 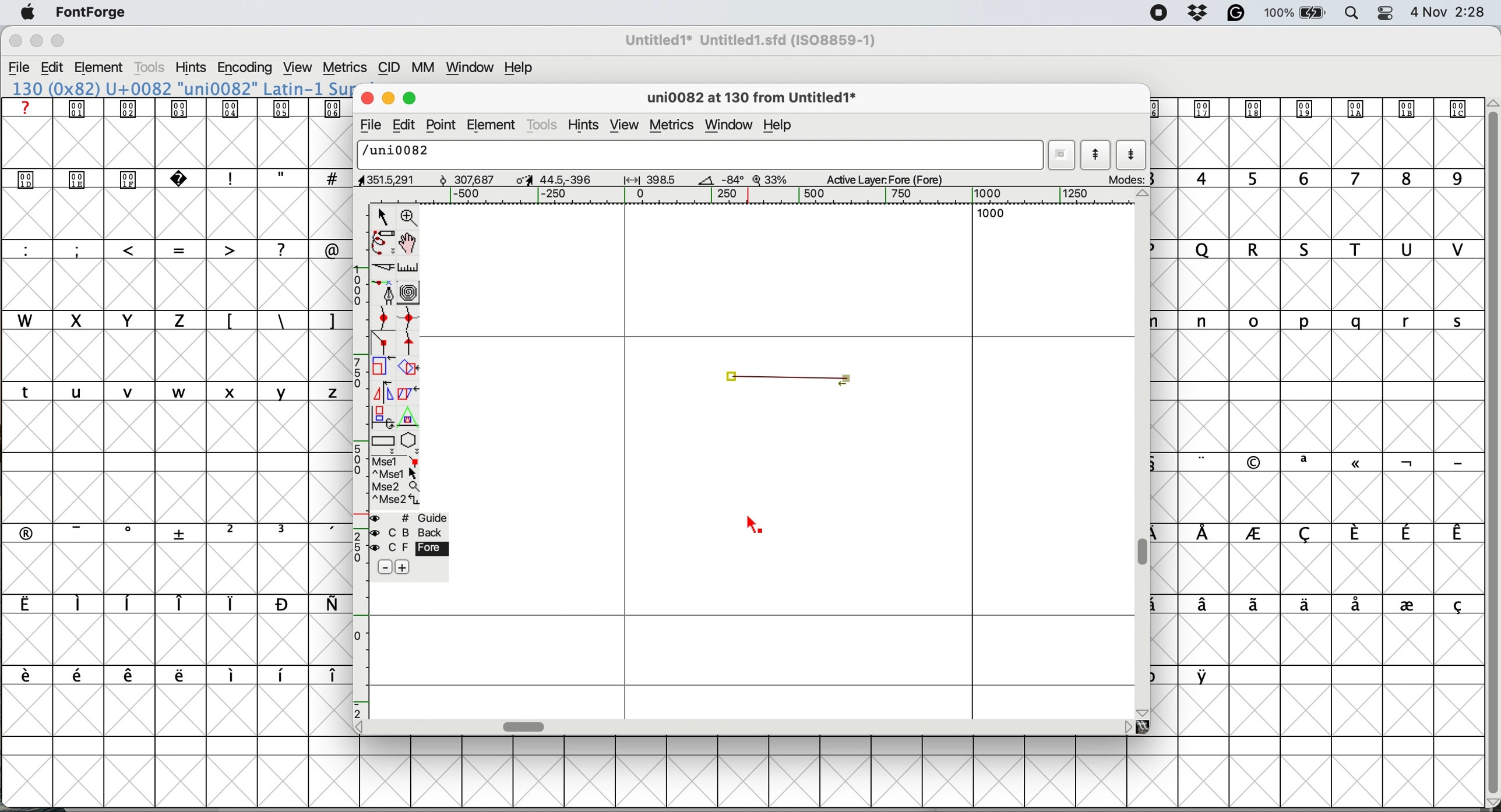 What do you see at coordinates (769, 196) in the screenshot?
I see `horizontal scale` at bounding box center [769, 196].